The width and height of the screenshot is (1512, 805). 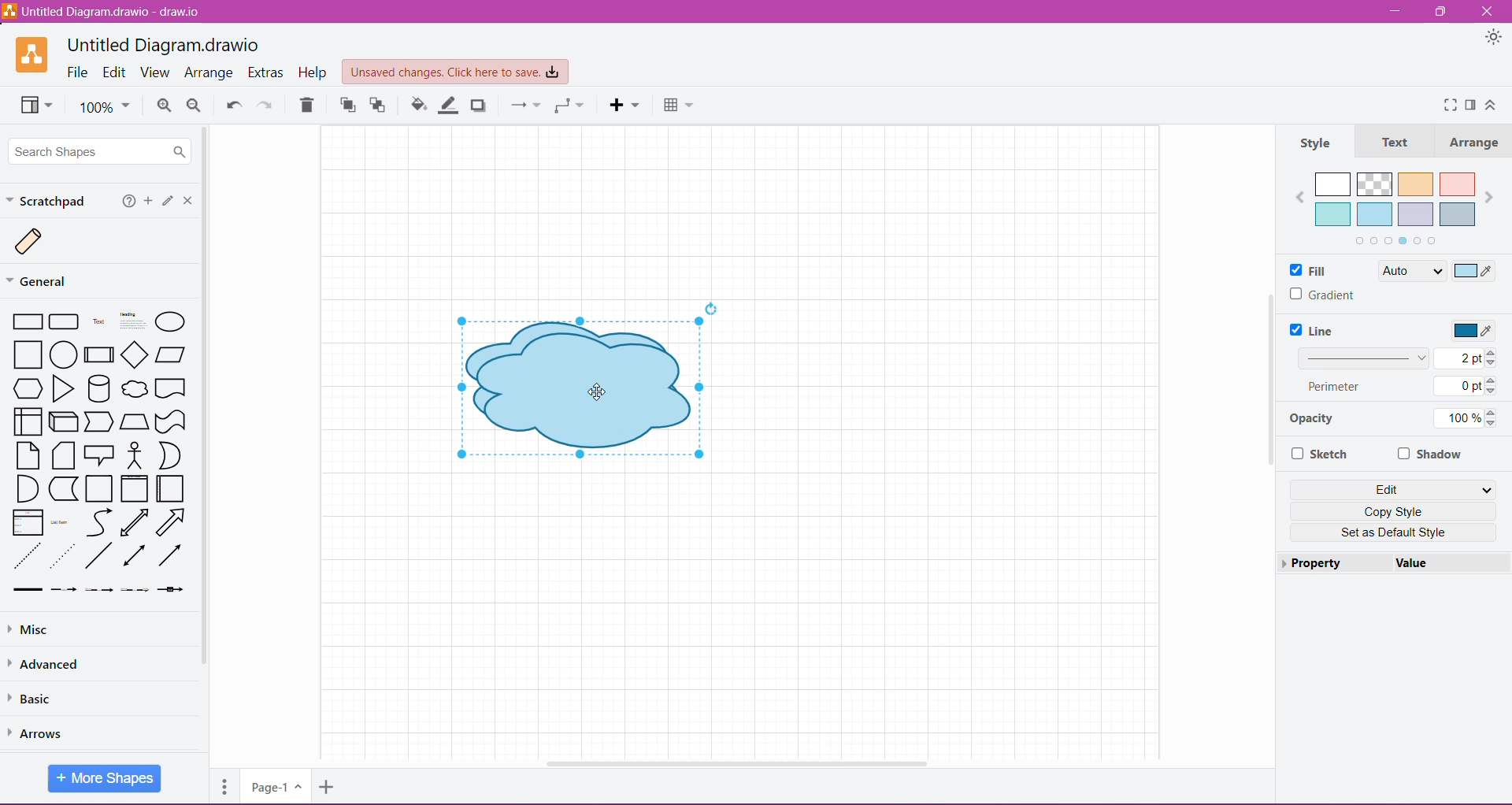 What do you see at coordinates (1395, 532) in the screenshot?
I see `Set as Default Style` at bounding box center [1395, 532].